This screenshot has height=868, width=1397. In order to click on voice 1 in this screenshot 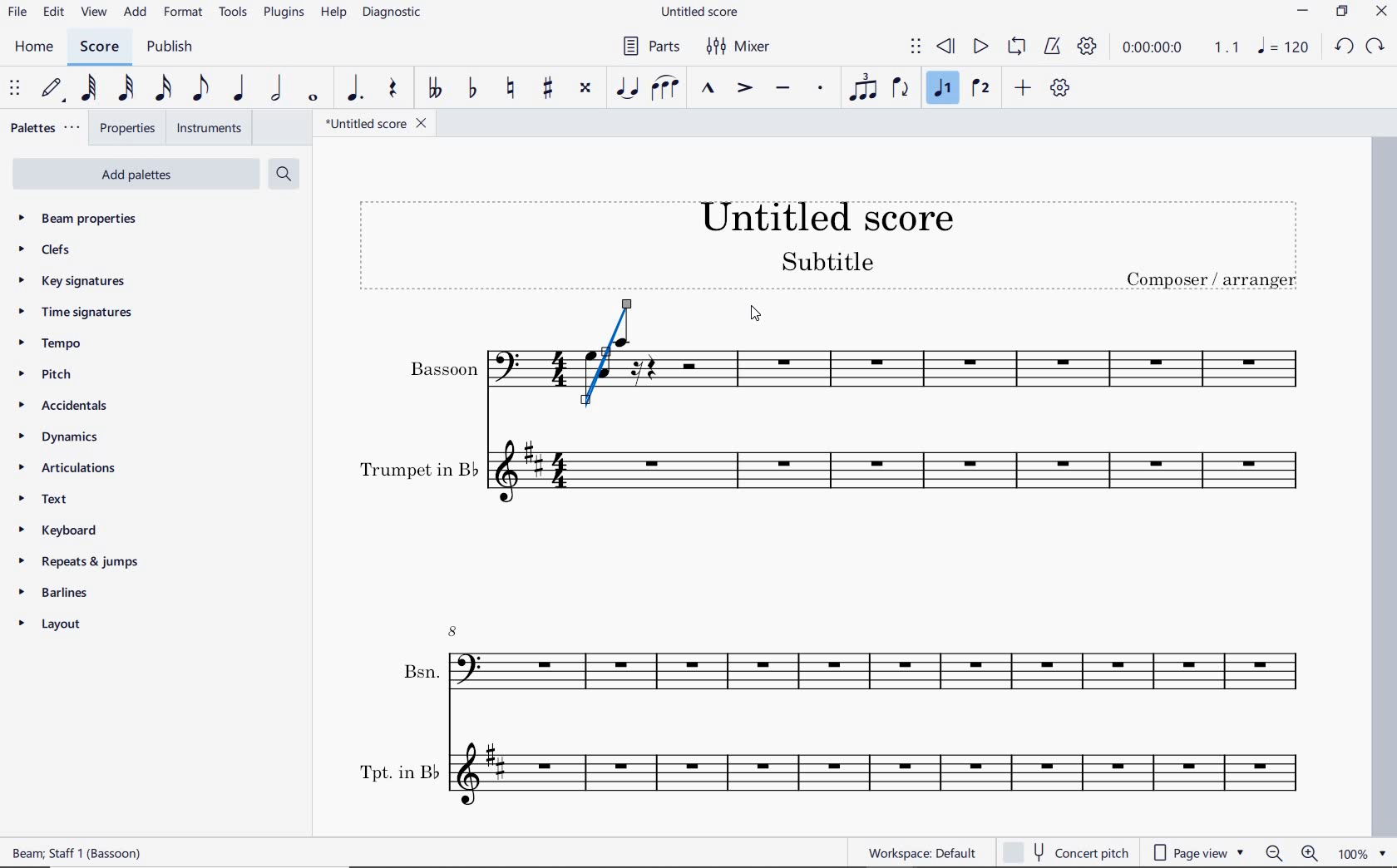, I will do `click(940, 89)`.